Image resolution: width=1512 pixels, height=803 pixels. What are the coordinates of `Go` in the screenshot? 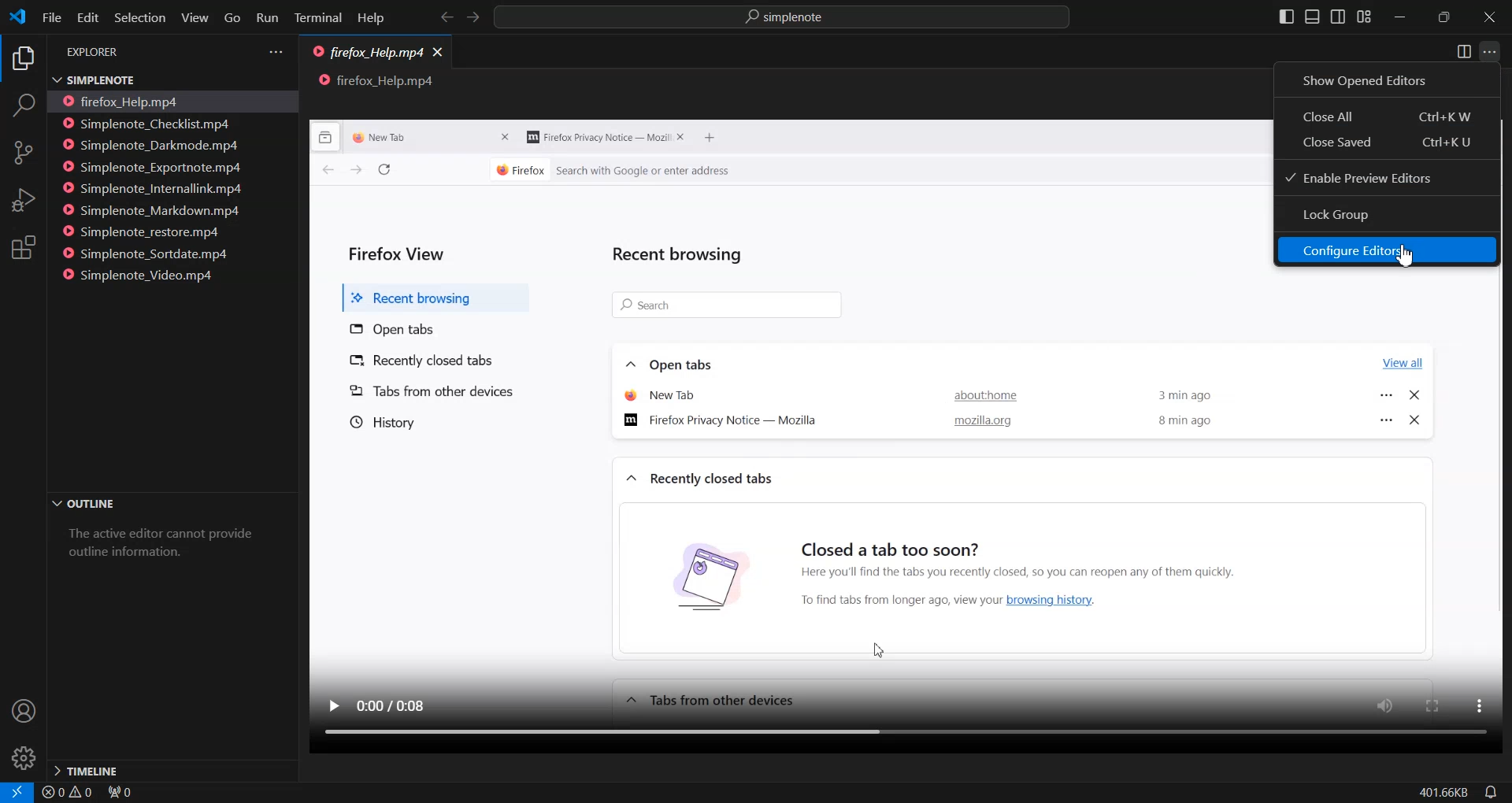 It's located at (232, 18).